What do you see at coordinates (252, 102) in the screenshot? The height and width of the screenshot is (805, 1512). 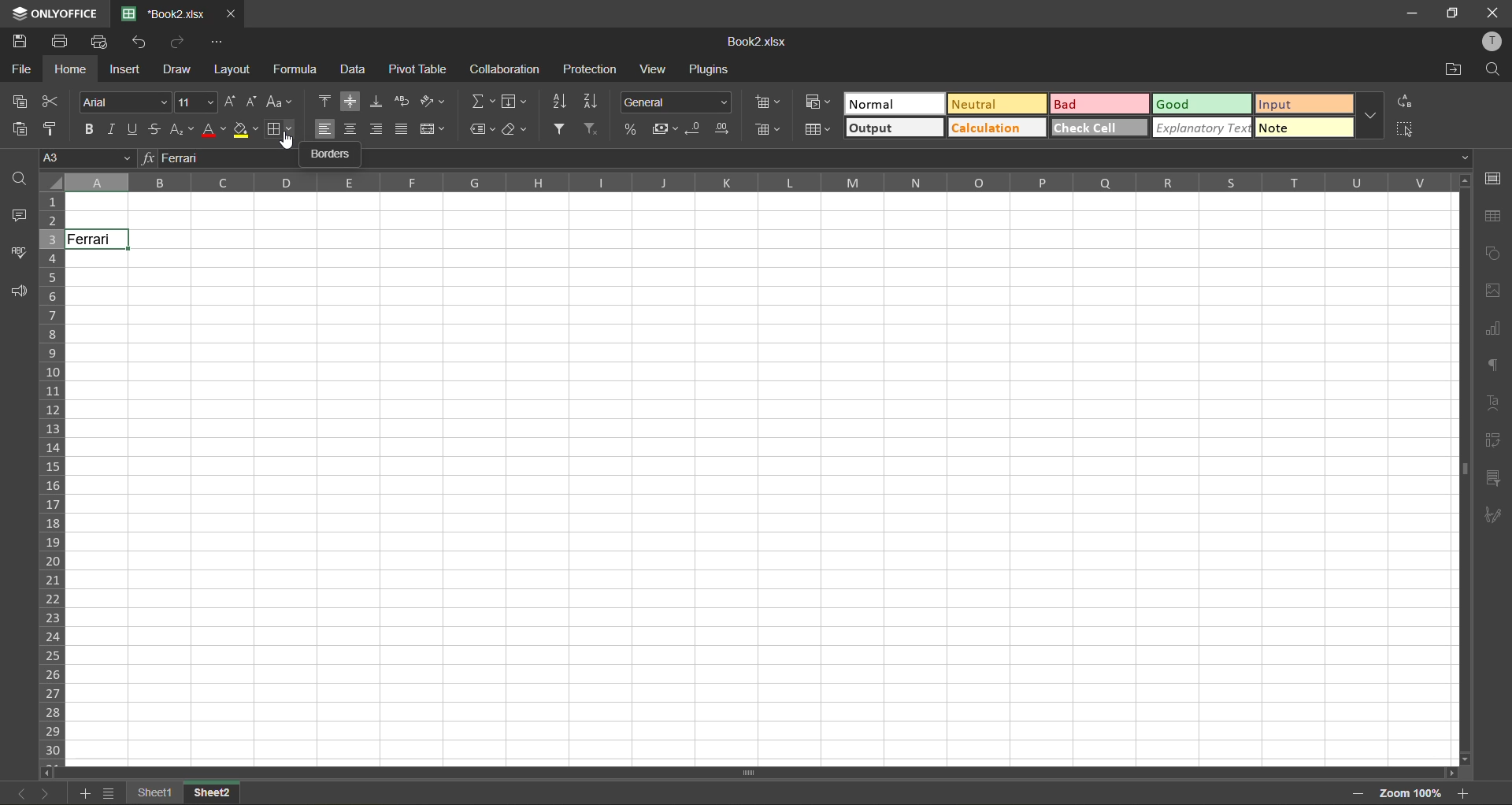 I see `decrement size` at bounding box center [252, 102].